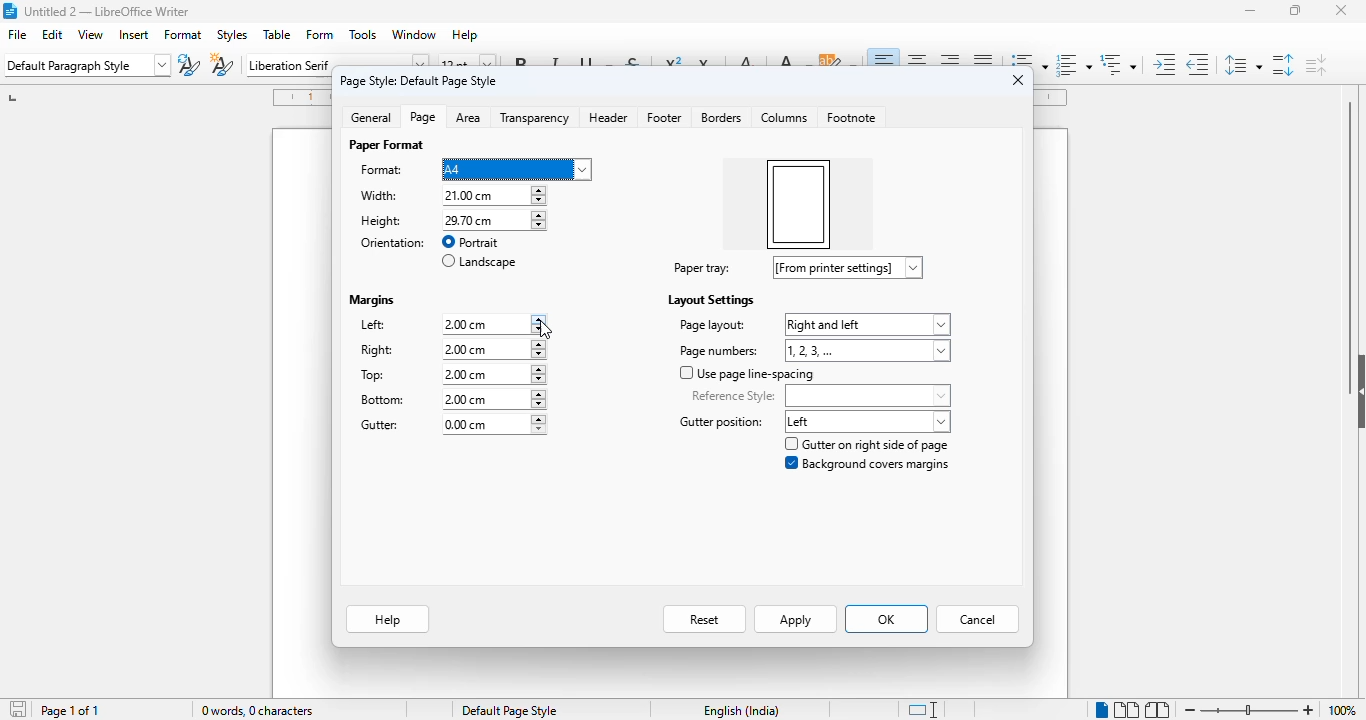 The width and height of the screenshot is (1366, 720). Describe the element at coordinates (1342, 711) in the screenshot. I see `zoom factor` at that location.